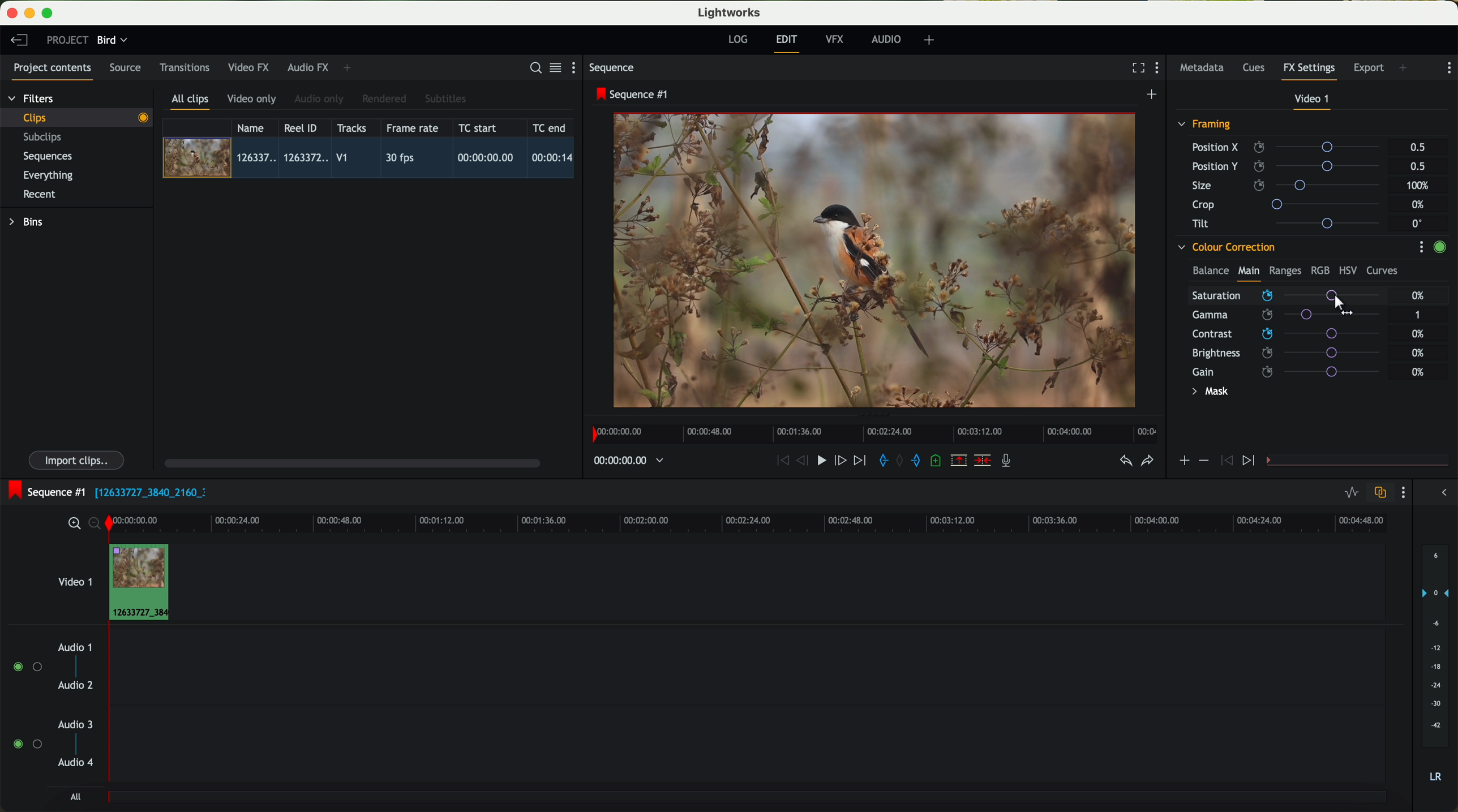  I want to click on mask, so click(1208, 393).